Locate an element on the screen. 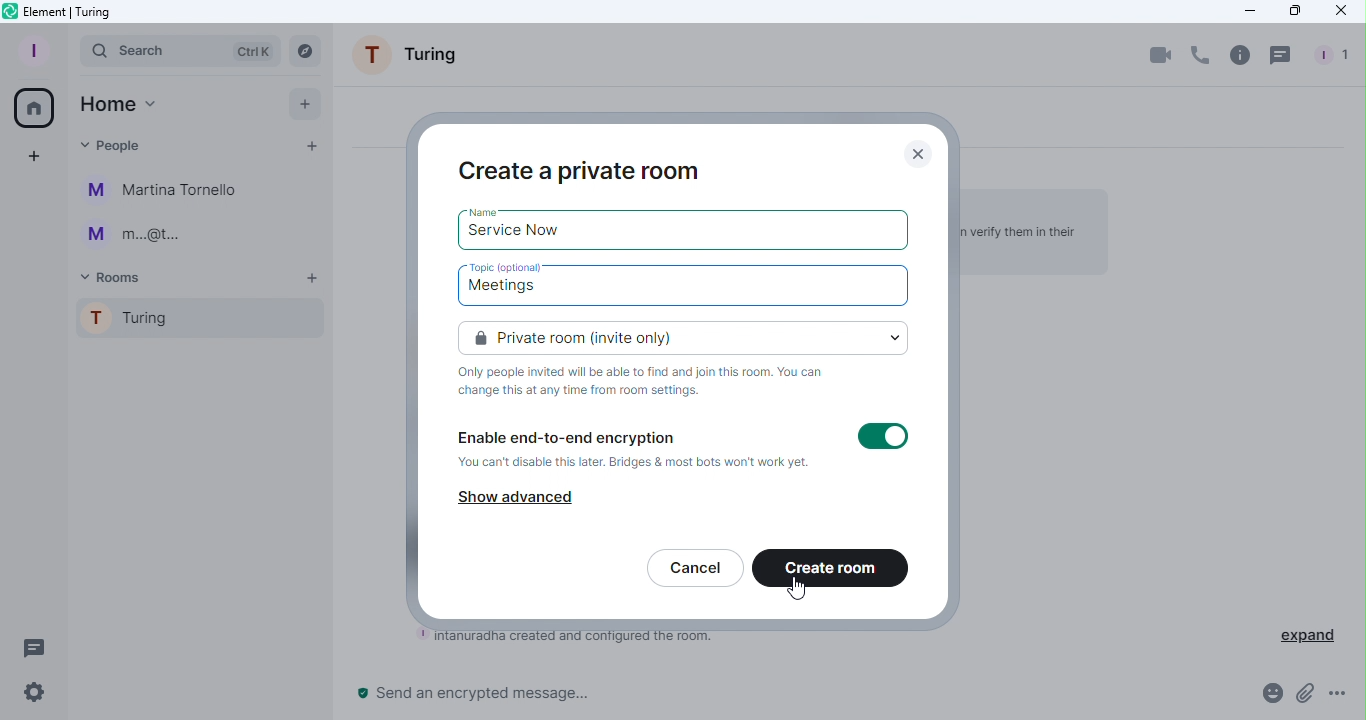 The height and width of the screenshot is (720, 1366). More Options is located at coordinates (1342, 695).